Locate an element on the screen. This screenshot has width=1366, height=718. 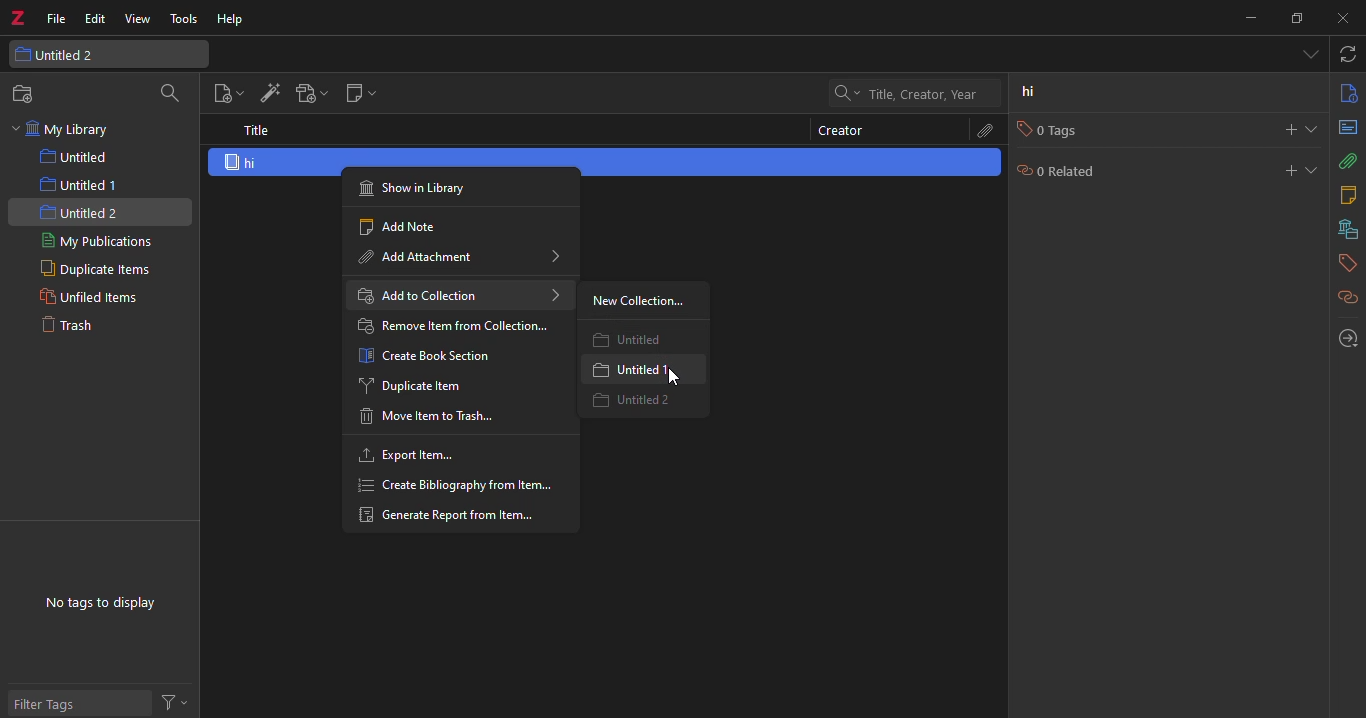
hi is located at coordinates (1029, 92).